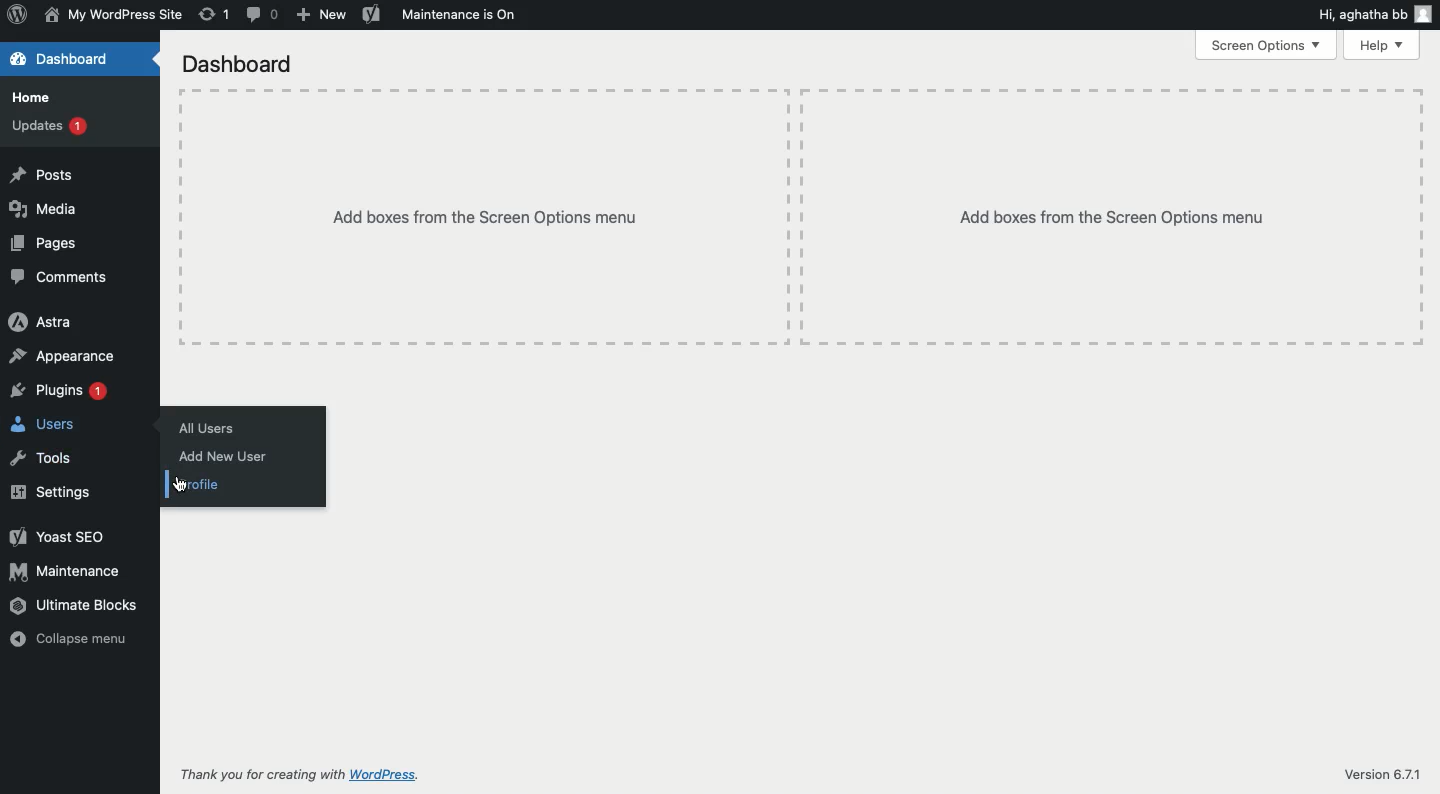  Describe the element at coordinates (66, 571) in the screenshot. I see `Maintenance` at that location.